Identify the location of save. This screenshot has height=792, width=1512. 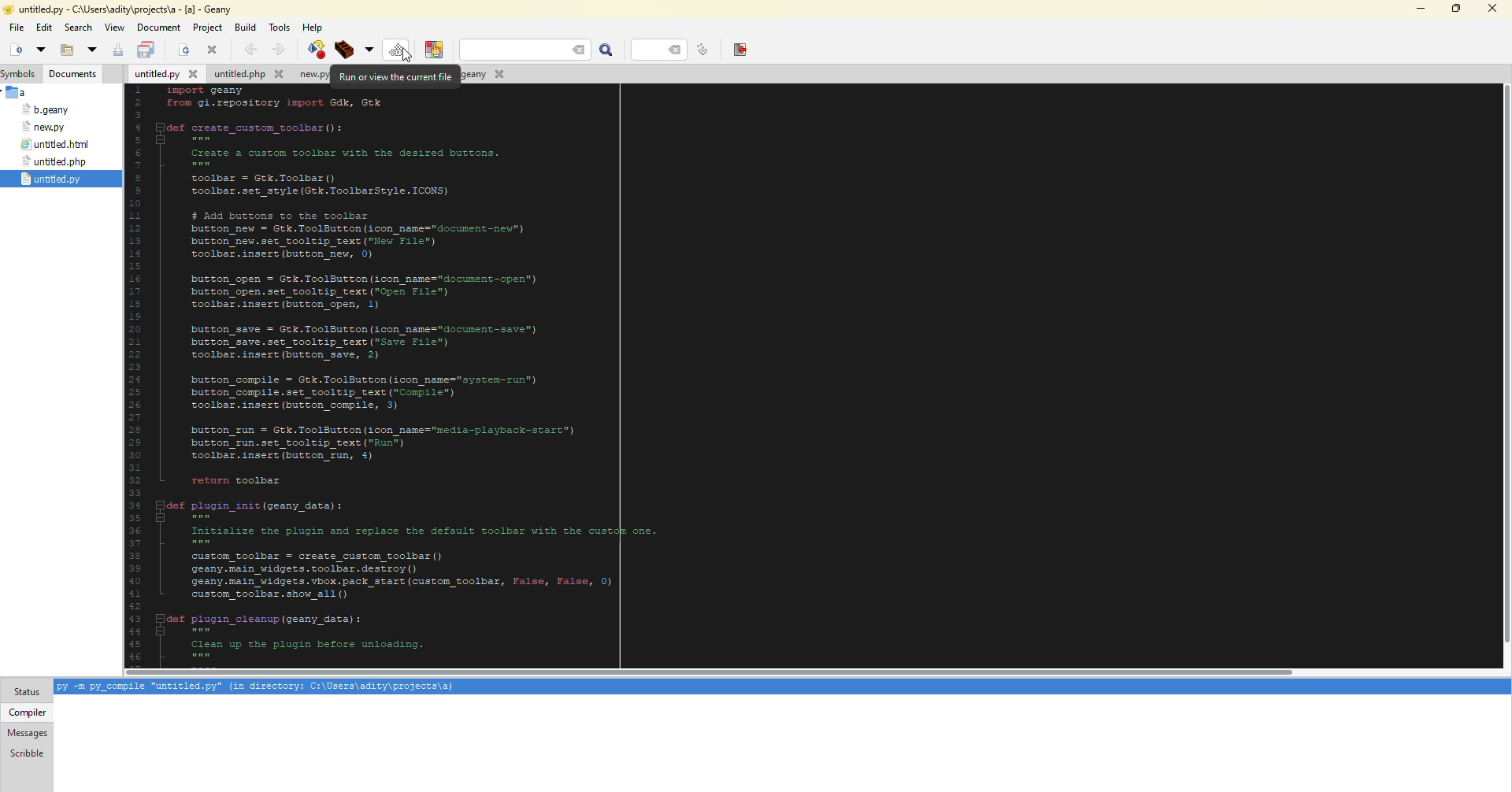
(147, 50).